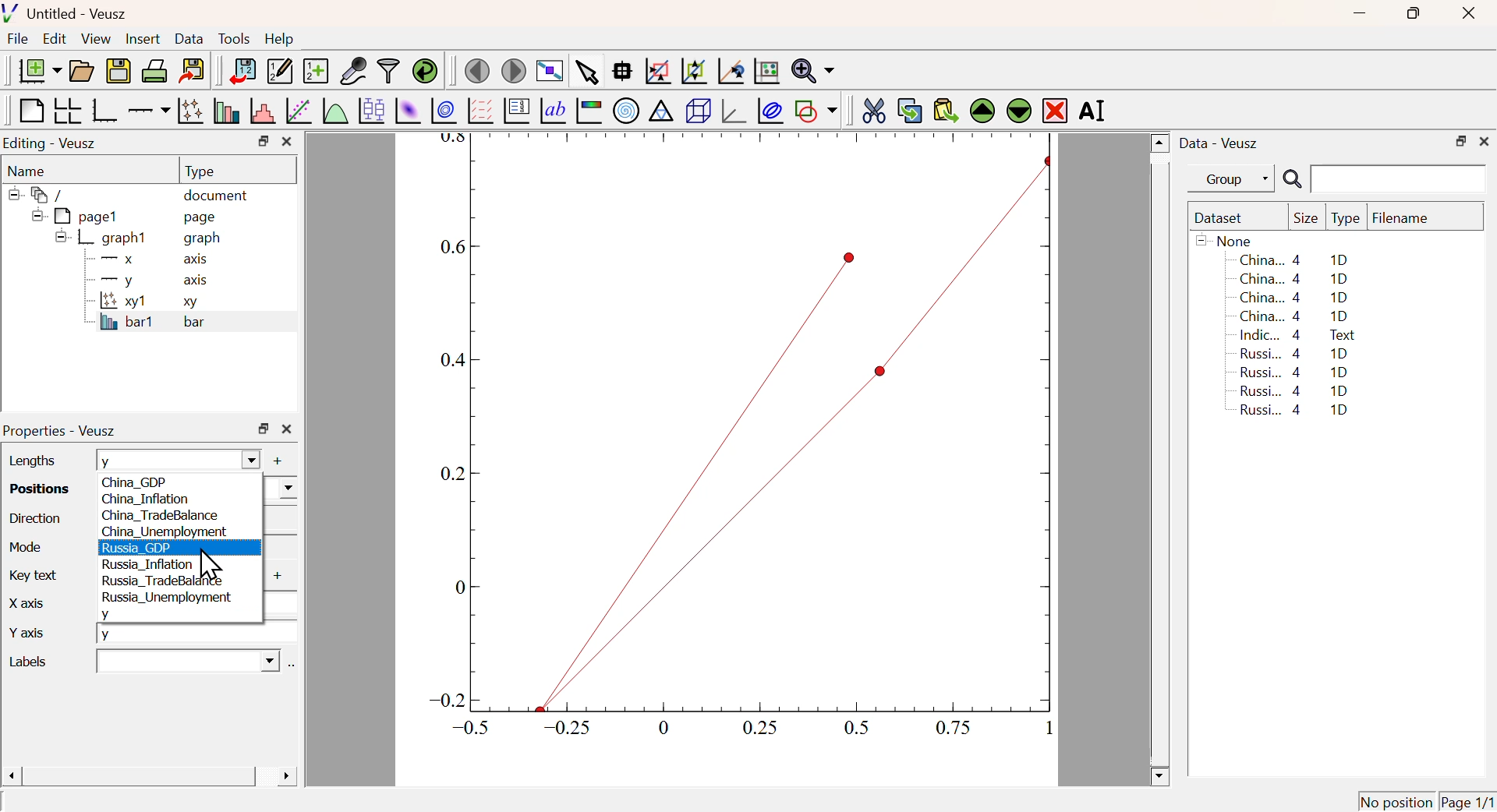 The width and height of the screenshot is (1497, 812). Describe the element at coordinates (1222, 144) in the screenshot. I see `Data - Veusz` at that location.